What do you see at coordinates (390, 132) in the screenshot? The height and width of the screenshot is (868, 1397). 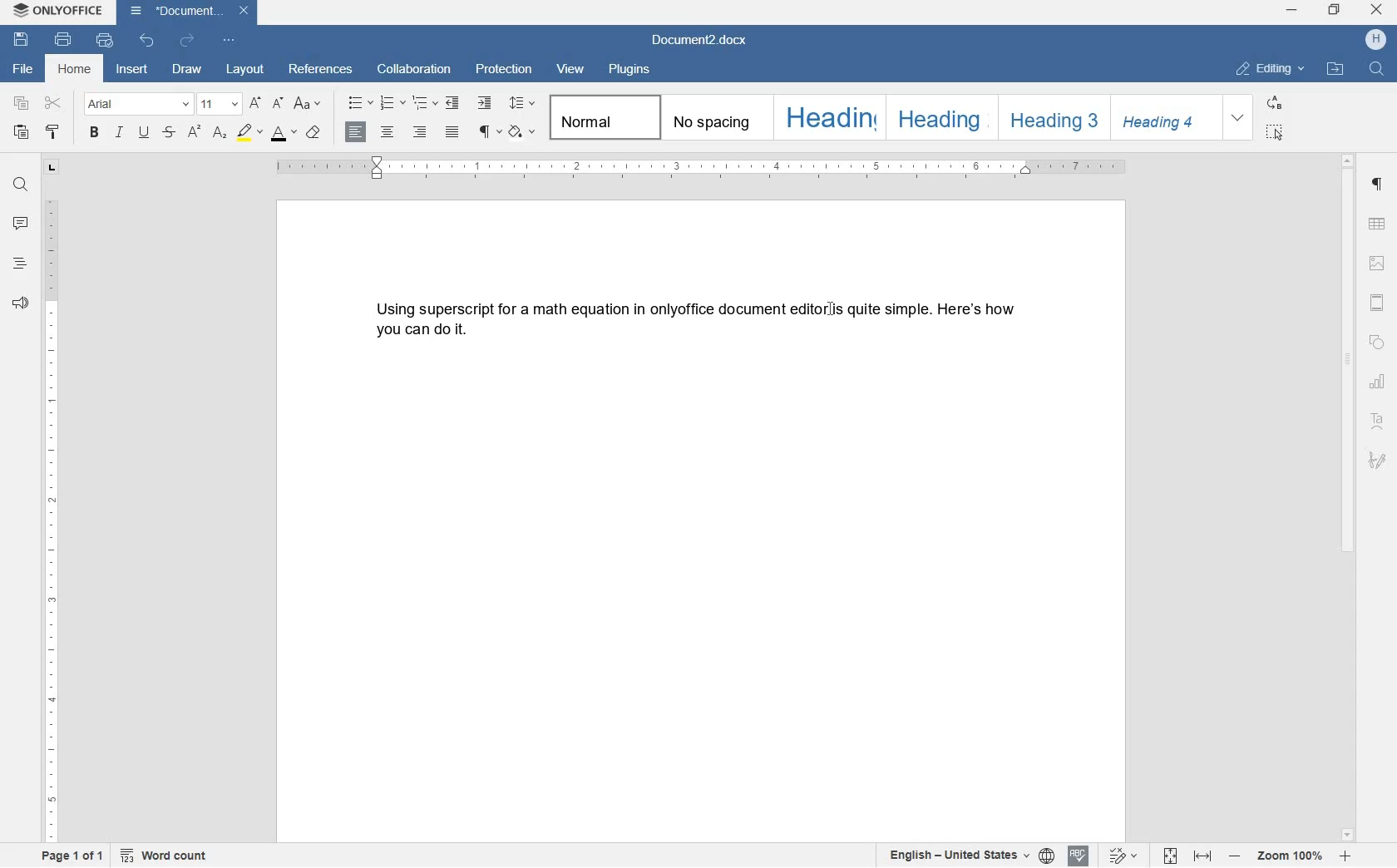 I see `align center` at bounding box center [390, 132].